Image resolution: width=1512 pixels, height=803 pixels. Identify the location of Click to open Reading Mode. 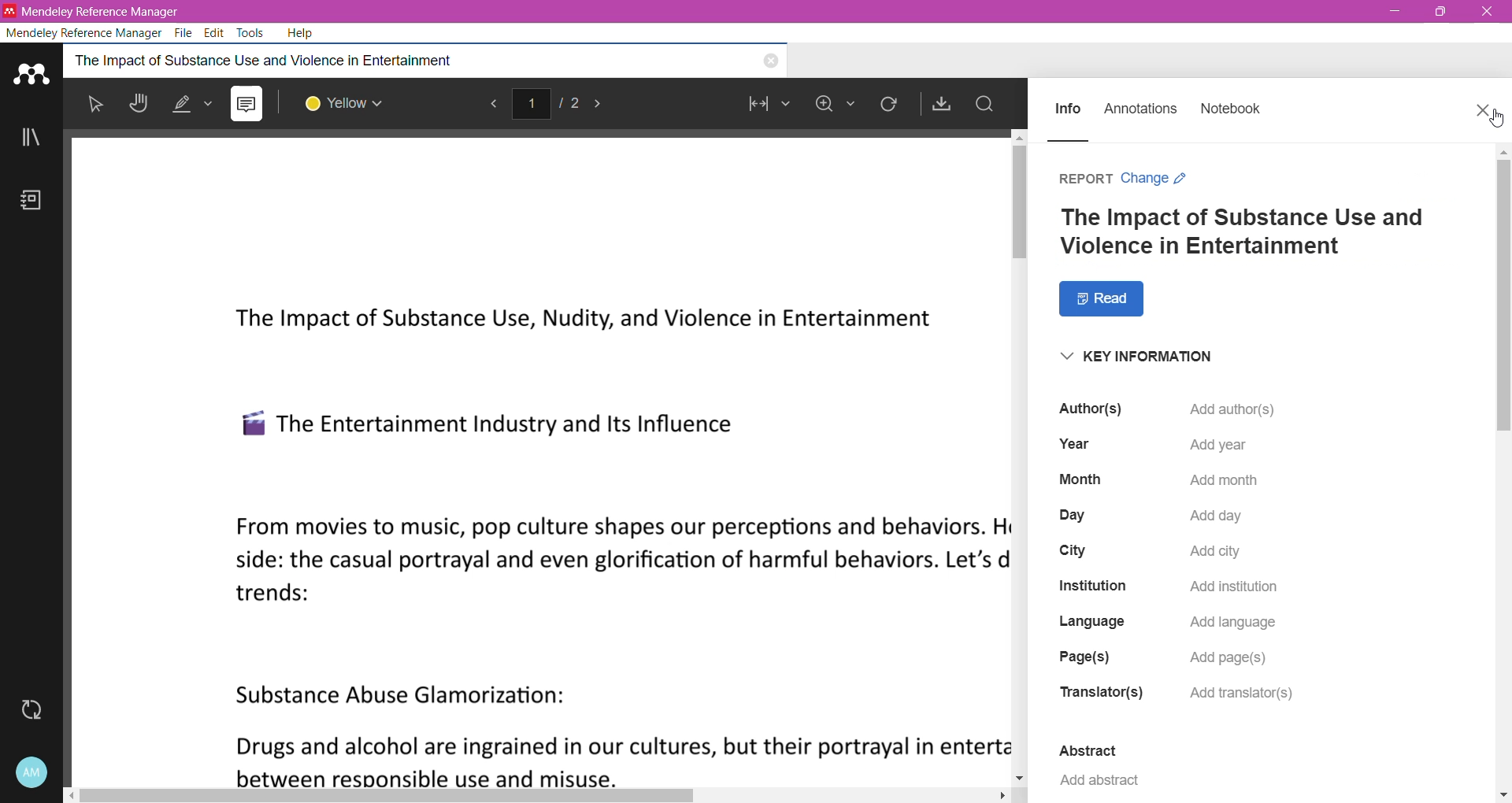
(1104, 296).